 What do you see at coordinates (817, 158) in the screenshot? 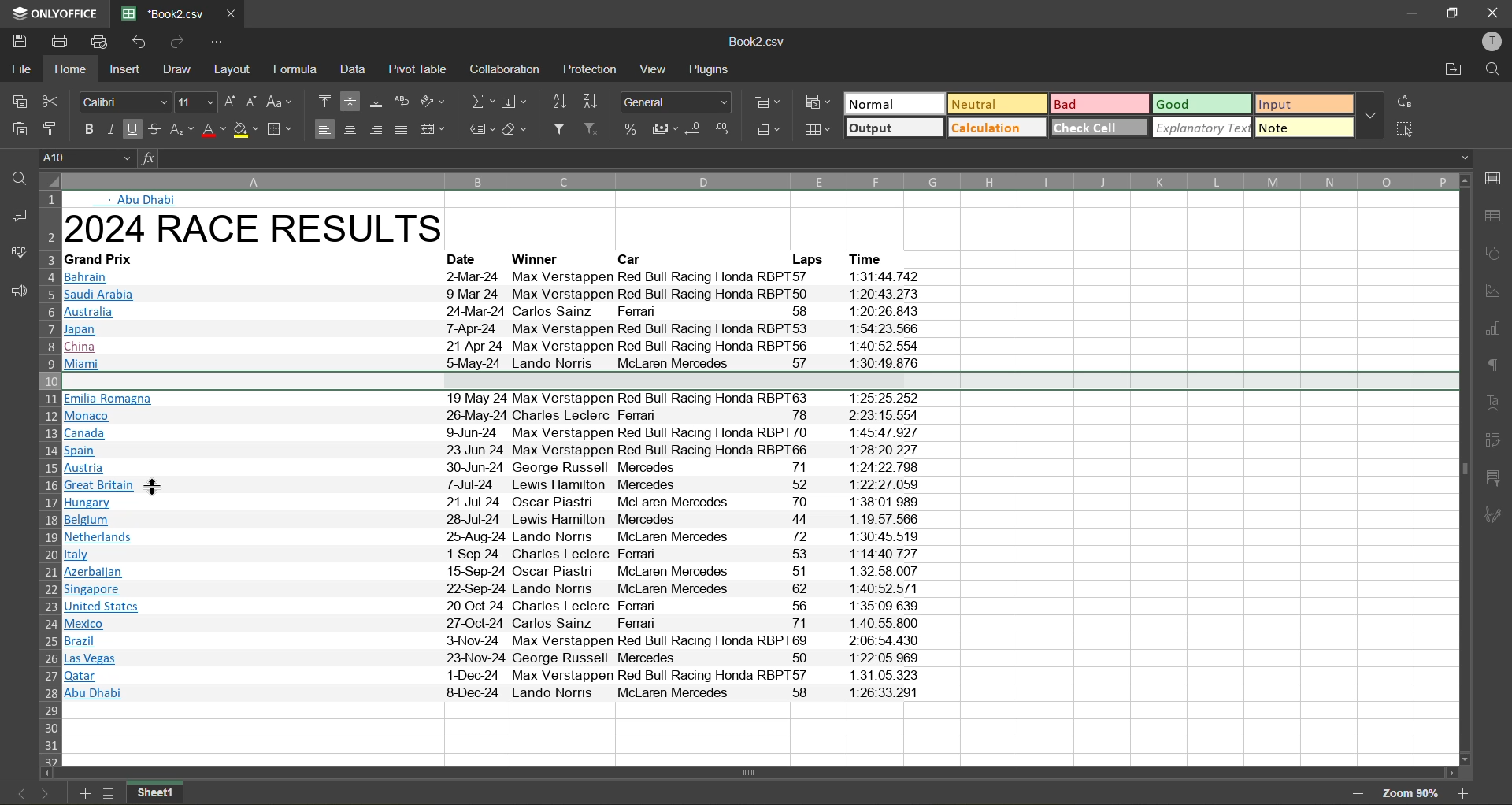
I see `formula bar` at bounding box center [817, 158].